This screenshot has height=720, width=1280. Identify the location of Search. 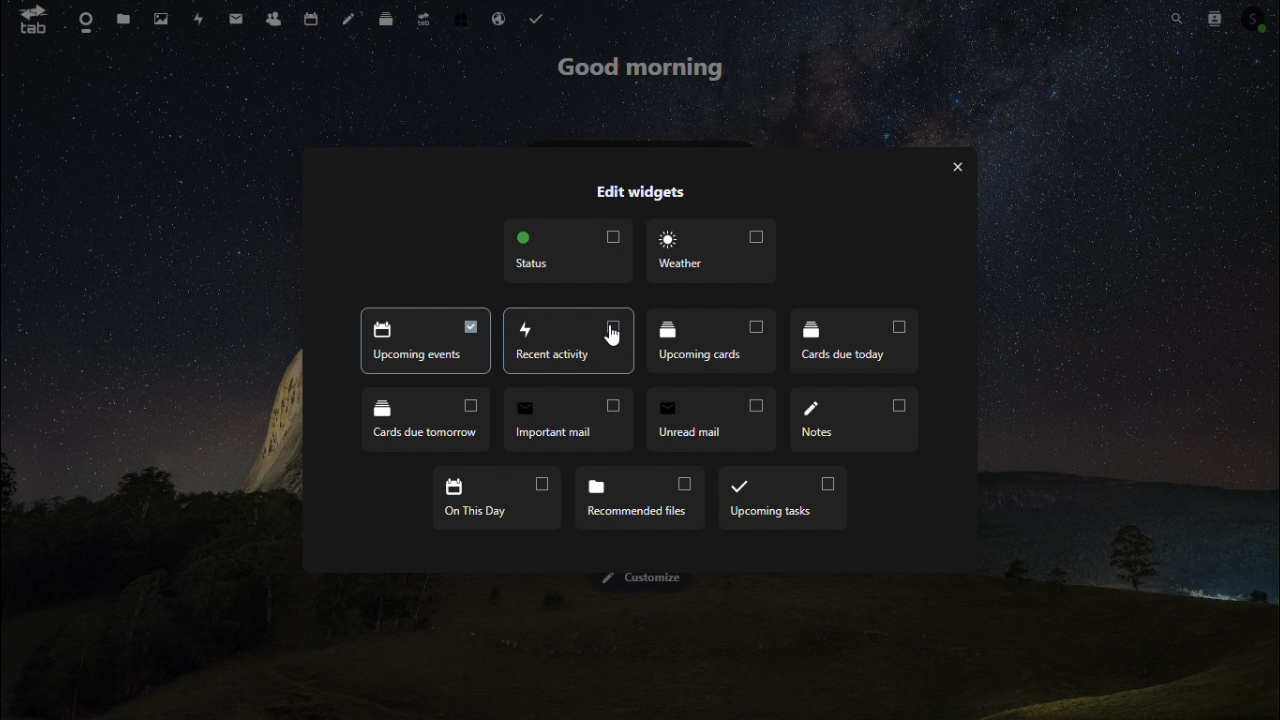
(1175, 15).